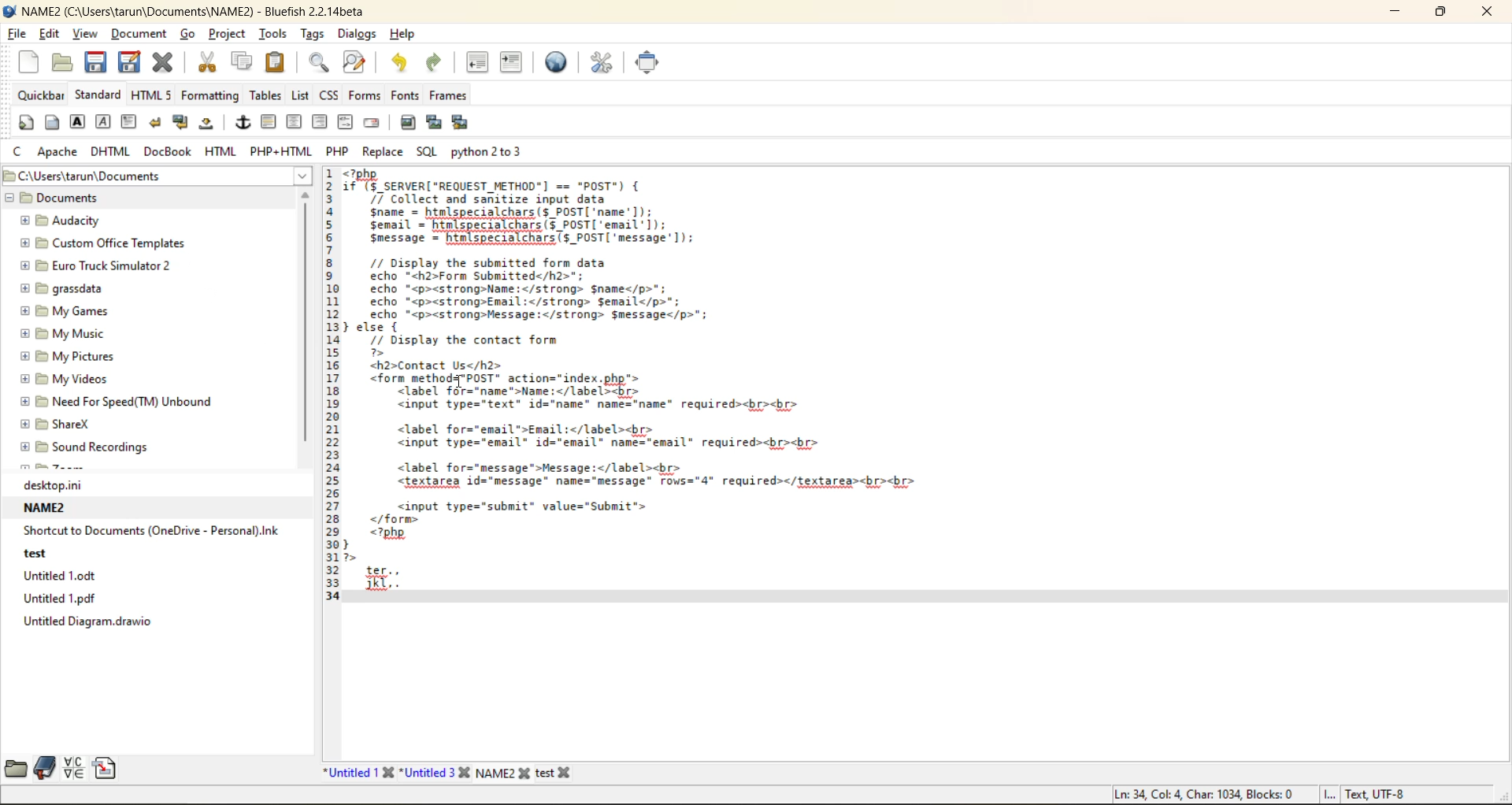 The height and width of the screenshot is (805, 1512). Describe the element at coordinates (82, 487) in the screenshot. I see `desktop.ini` at that location.